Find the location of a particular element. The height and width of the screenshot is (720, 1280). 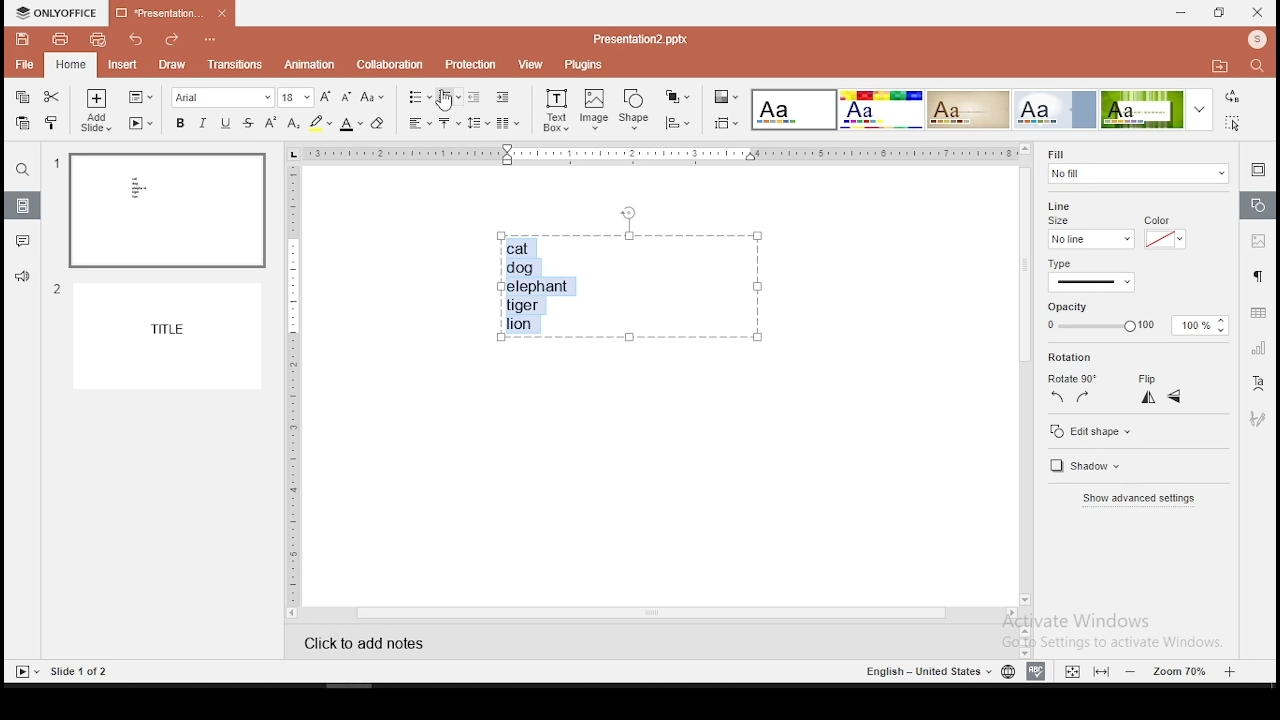

italics is located at coordinates (200, 125).